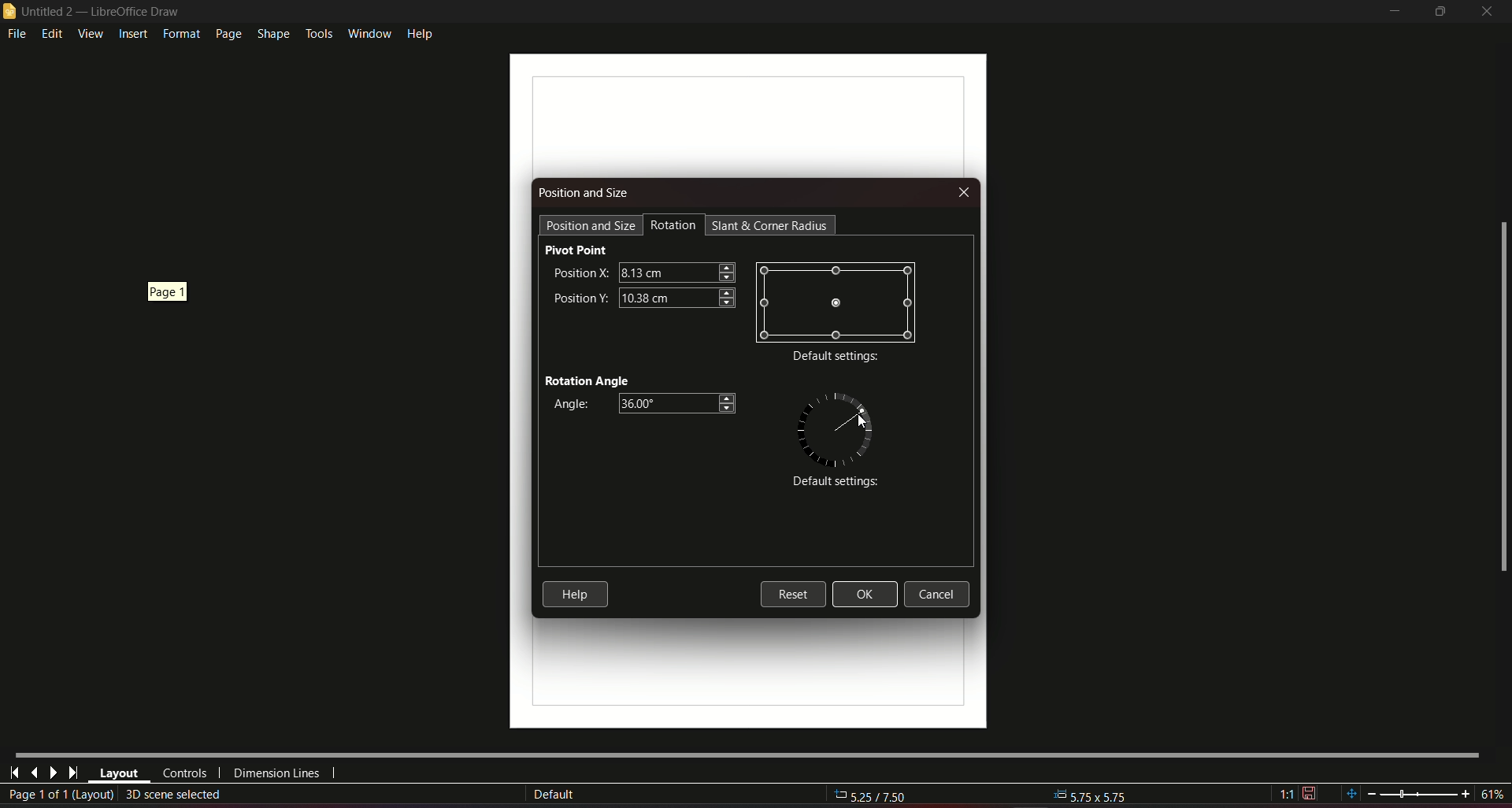  I want to click on file, so click(18, 35).